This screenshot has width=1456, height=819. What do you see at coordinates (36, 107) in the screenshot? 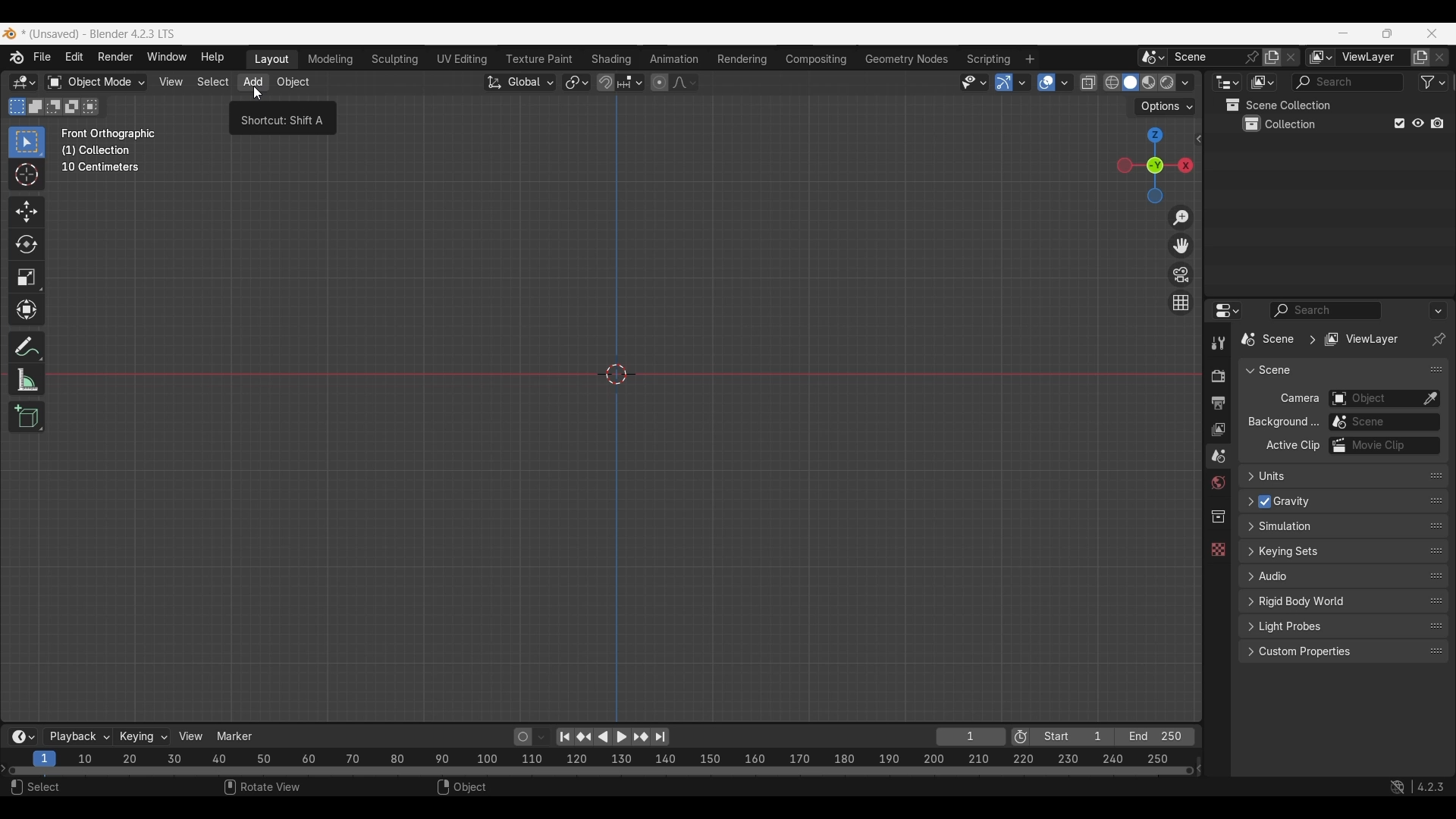
I see `Extend existing selection` at bounding box center [36, 107].